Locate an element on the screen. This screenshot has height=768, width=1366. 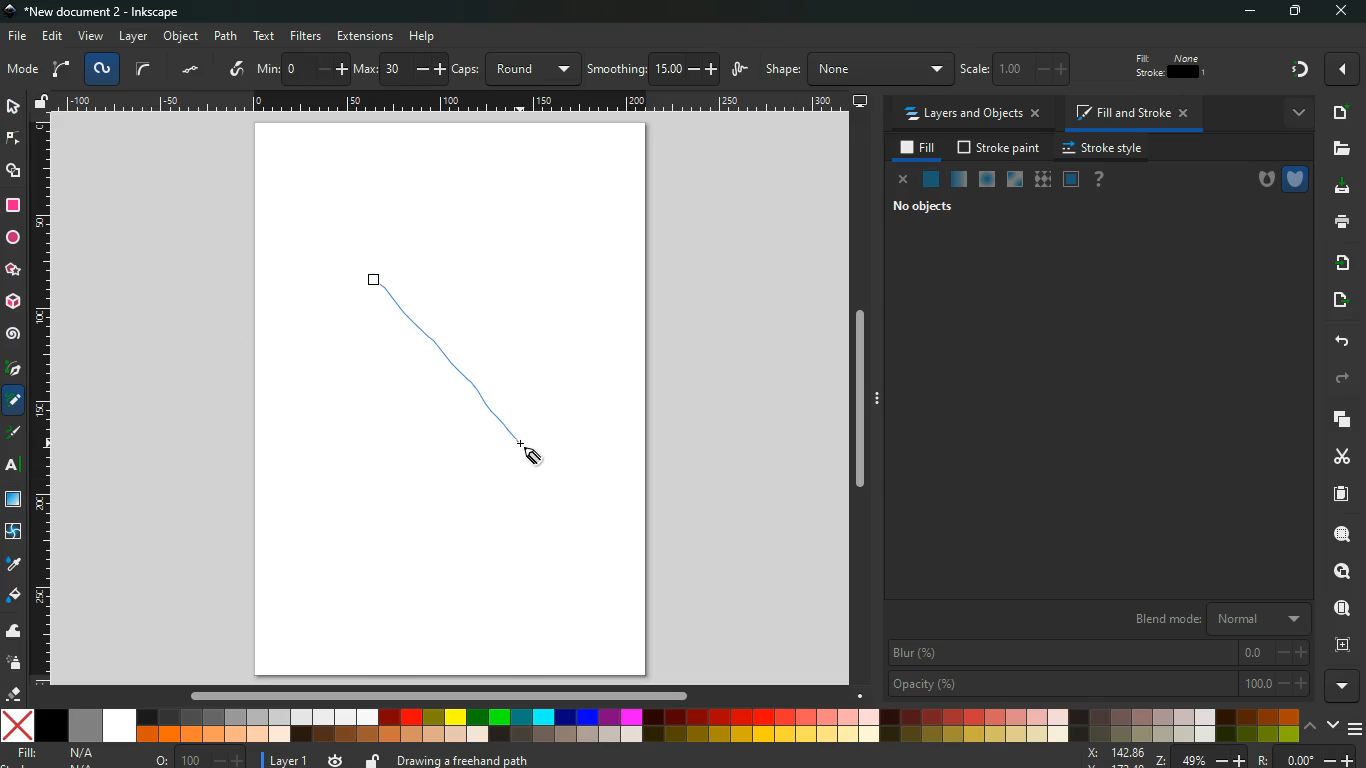
wave is located at coordinates (15, 633).